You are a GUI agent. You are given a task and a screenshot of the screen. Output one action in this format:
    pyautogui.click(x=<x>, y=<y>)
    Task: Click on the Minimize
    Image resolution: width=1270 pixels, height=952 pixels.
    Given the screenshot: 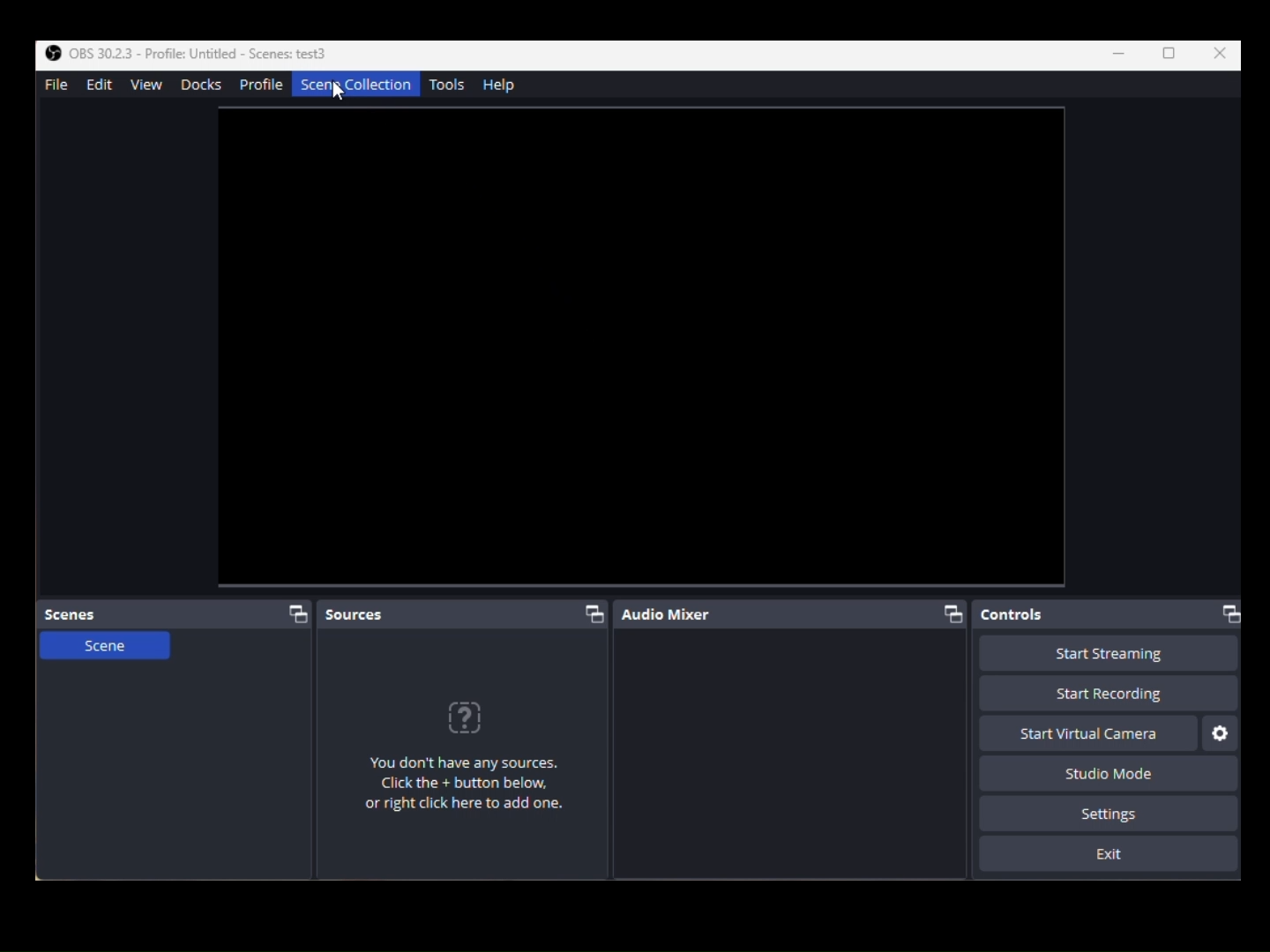 What is the action you would take?
    pyautogui.click(x=1122, y=55)
    